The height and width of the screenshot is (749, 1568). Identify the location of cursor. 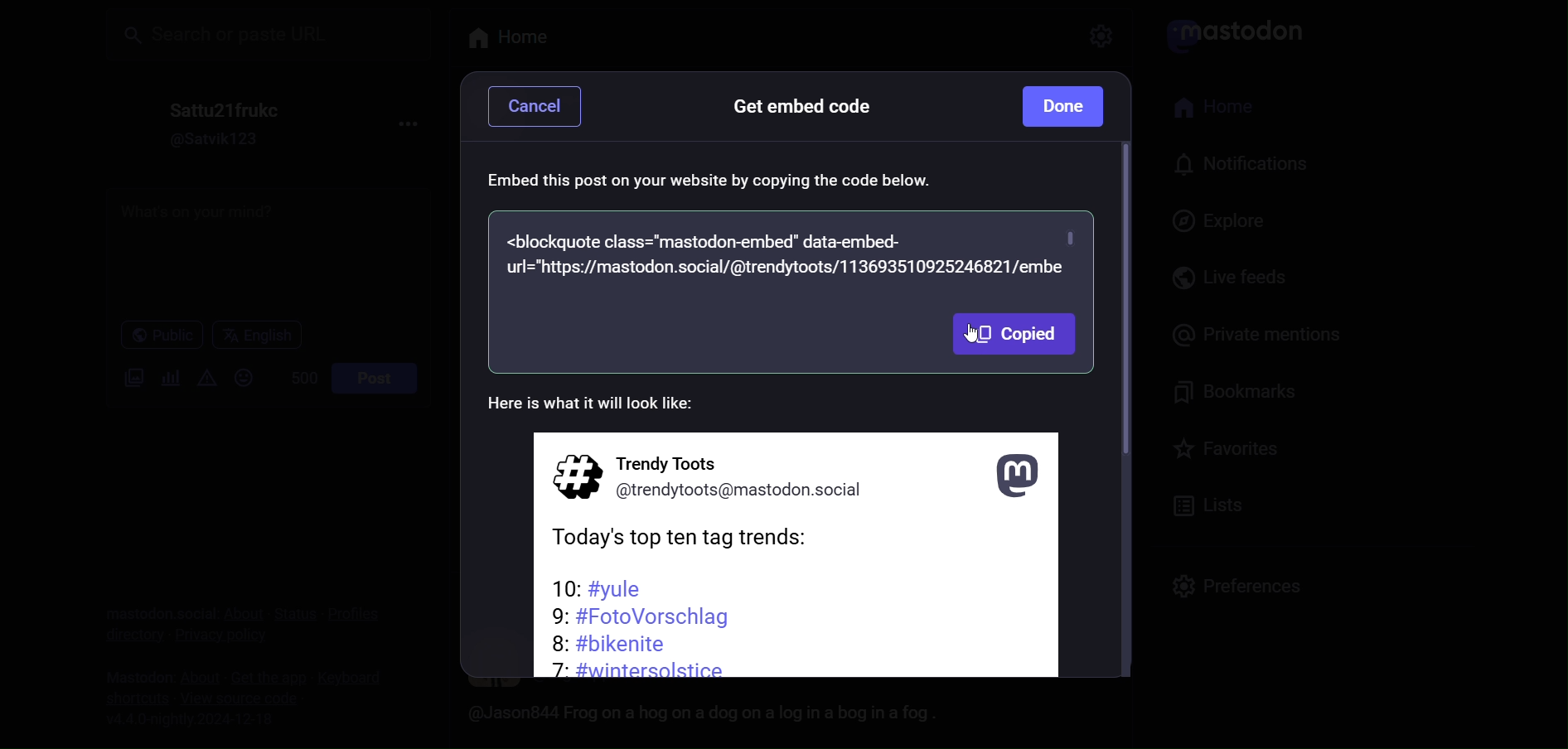
(970, 346).